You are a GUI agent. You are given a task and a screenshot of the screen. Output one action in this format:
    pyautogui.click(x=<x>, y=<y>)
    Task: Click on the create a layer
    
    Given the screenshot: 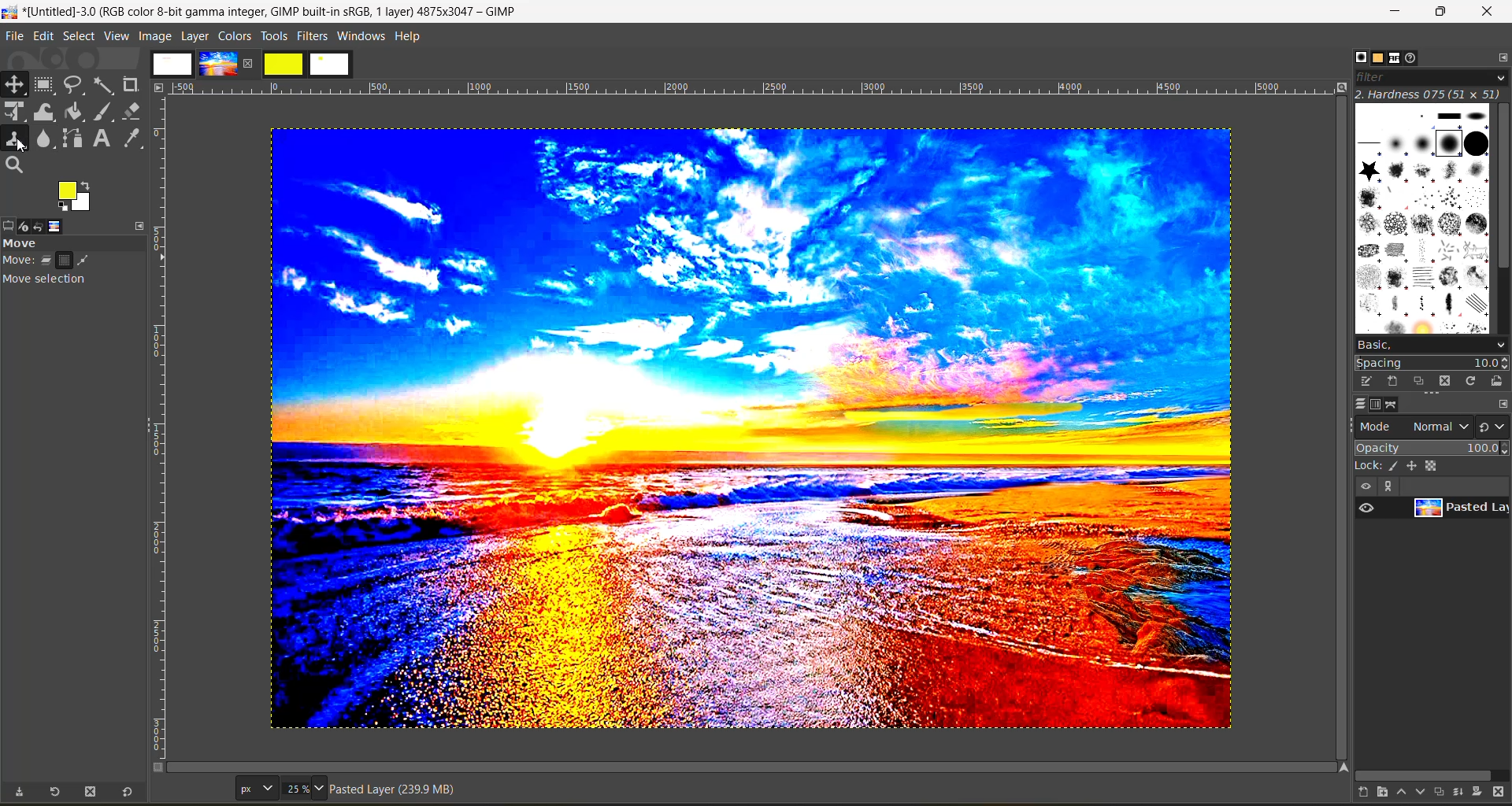 What is the action you would take?
    pyautogui.click(x=1436, y=793)
    